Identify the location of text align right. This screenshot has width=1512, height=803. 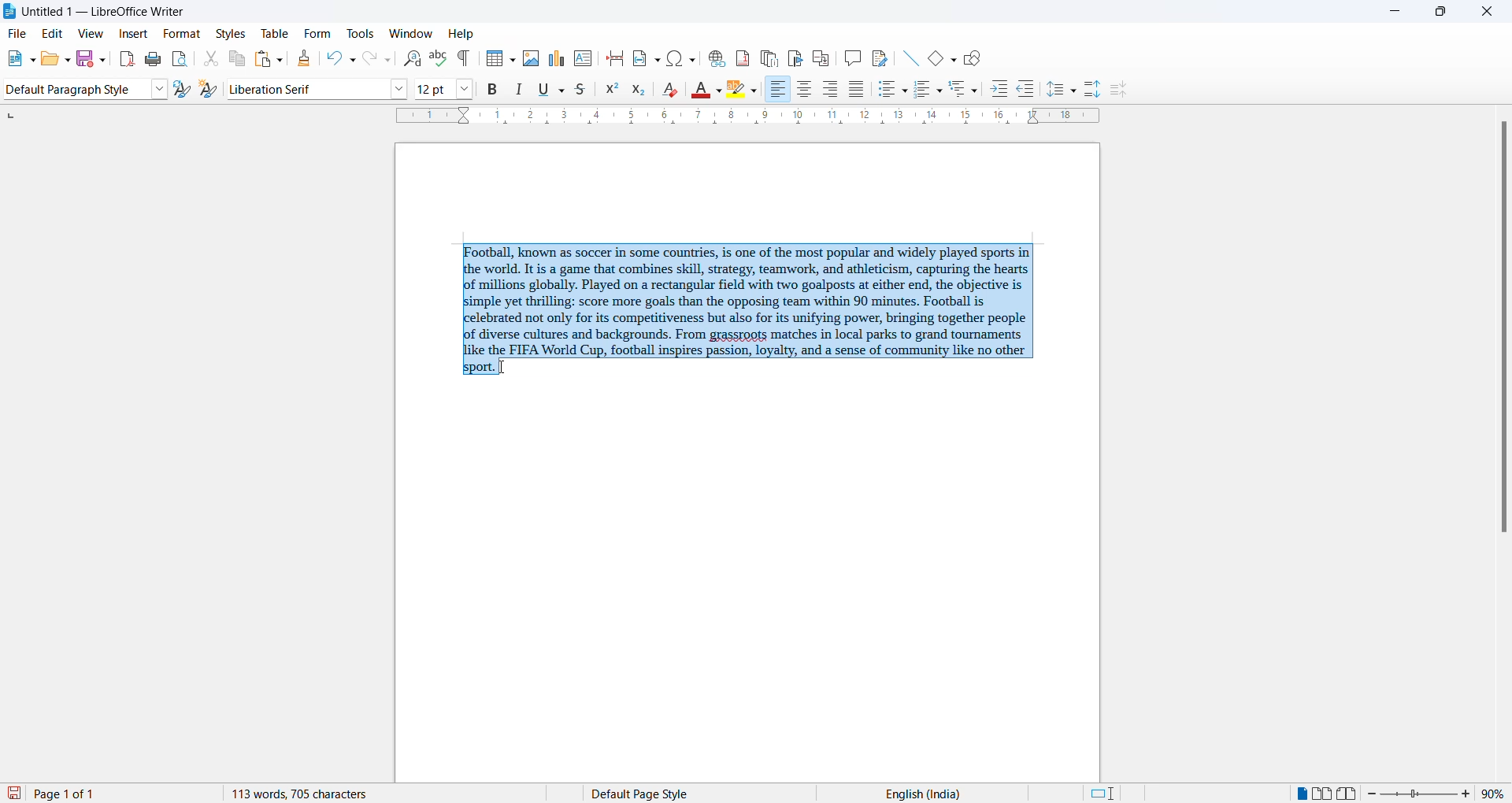
(778, 90).